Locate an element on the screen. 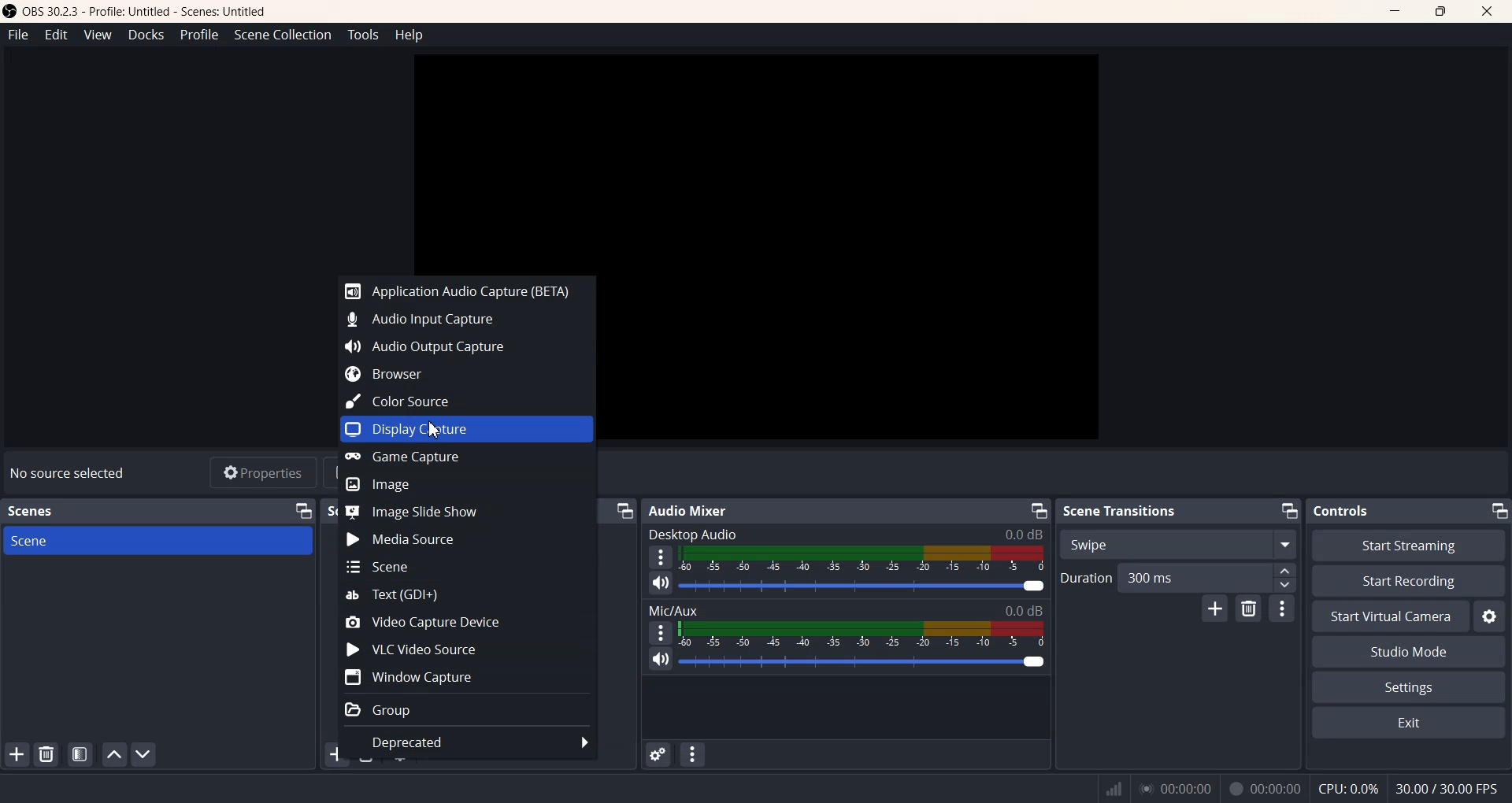  Scene is located at coordinates (158, 540).